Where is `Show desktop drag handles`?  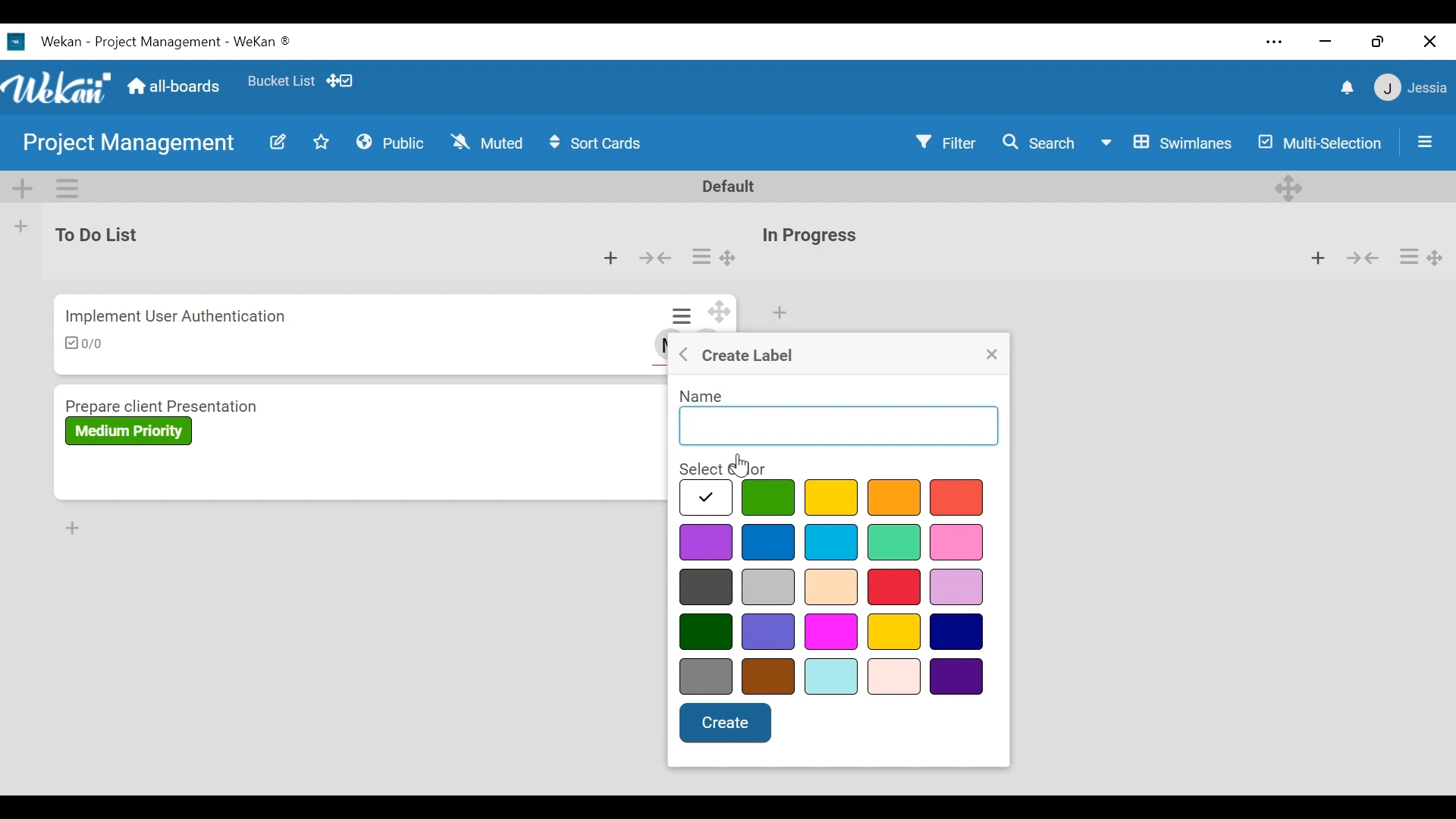 Show desktop drag handles is located at coordinates (342, 80).